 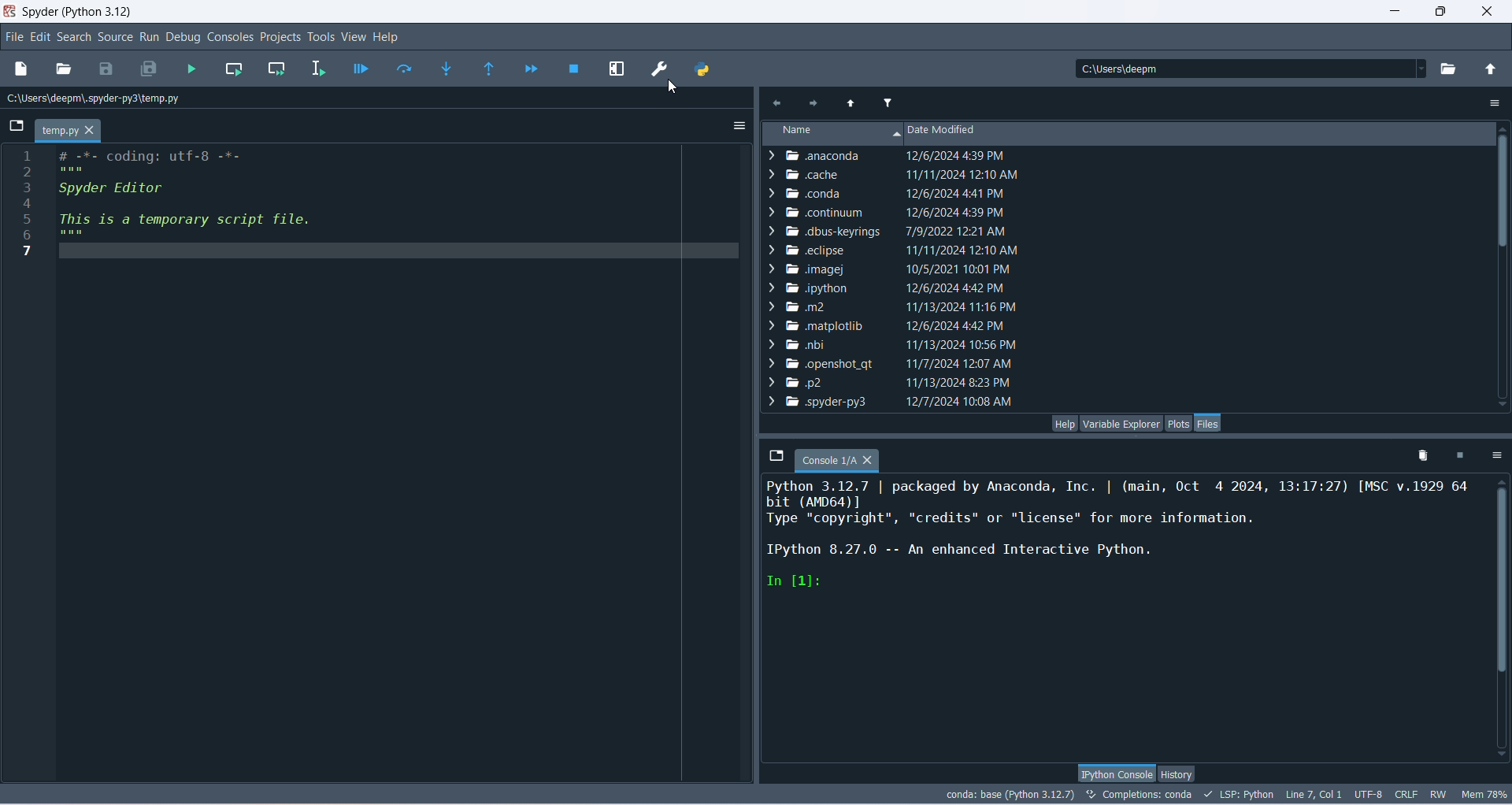 What do you see at coordinates (1010, 793) in the screenshot?
I see `conda:base` at bounding box center [1010, 793].